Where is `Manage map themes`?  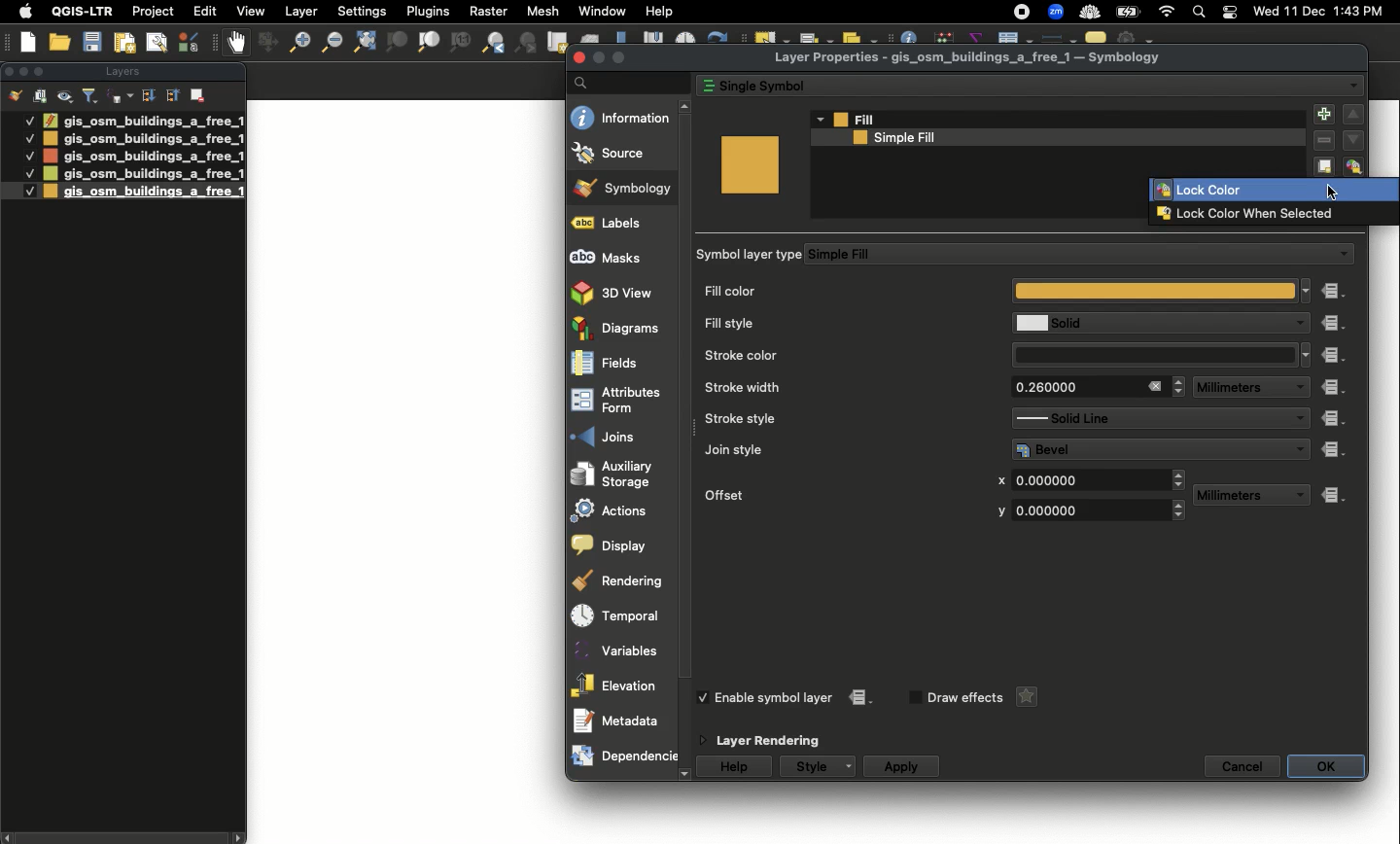 Manage map themes is located at coordinates (66, 96).